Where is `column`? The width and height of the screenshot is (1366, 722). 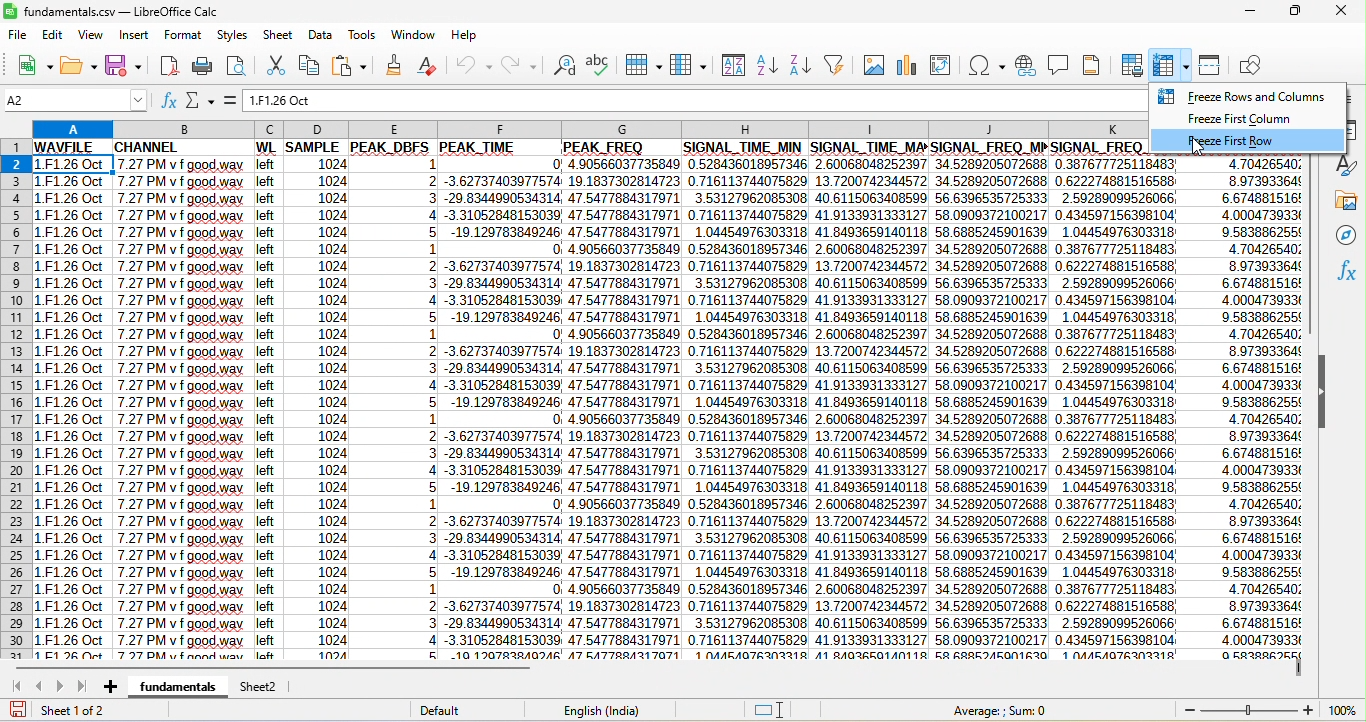
column is located at coordinates (687, 65).